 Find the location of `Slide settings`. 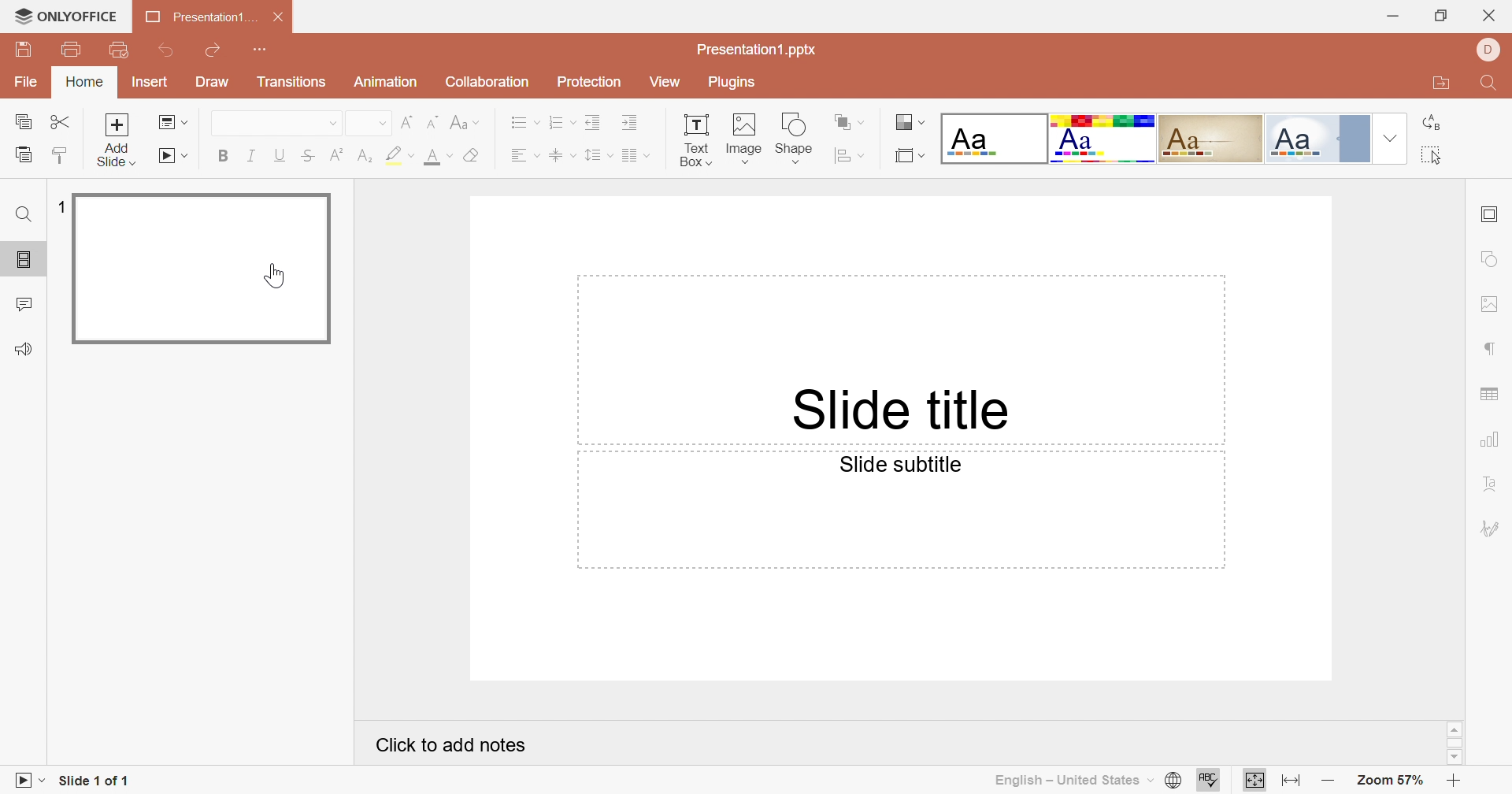

Slide settings is located at coordinates (1492, 213).